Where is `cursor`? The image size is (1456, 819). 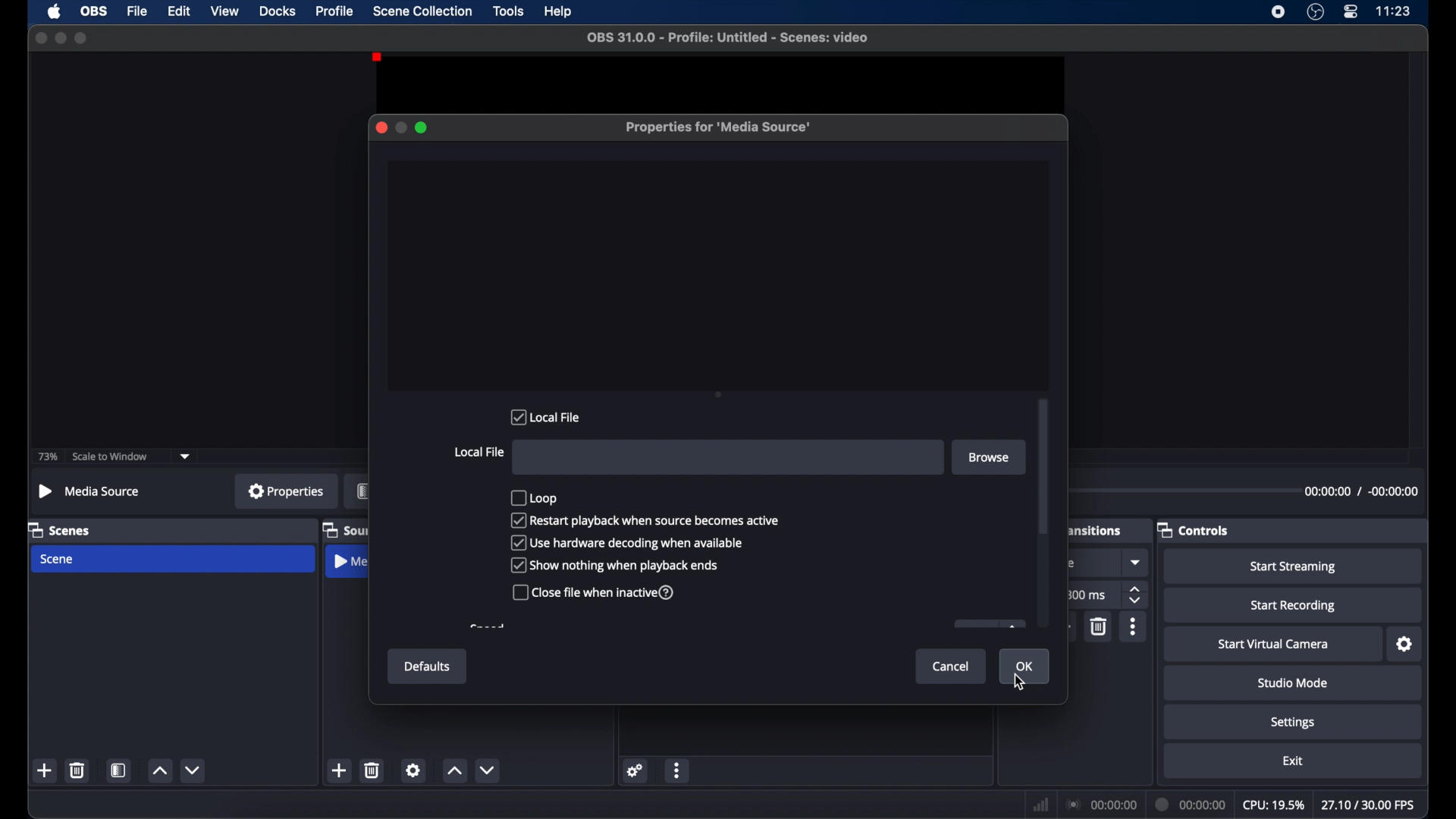 cursor is located at coordinates (1021, 682).